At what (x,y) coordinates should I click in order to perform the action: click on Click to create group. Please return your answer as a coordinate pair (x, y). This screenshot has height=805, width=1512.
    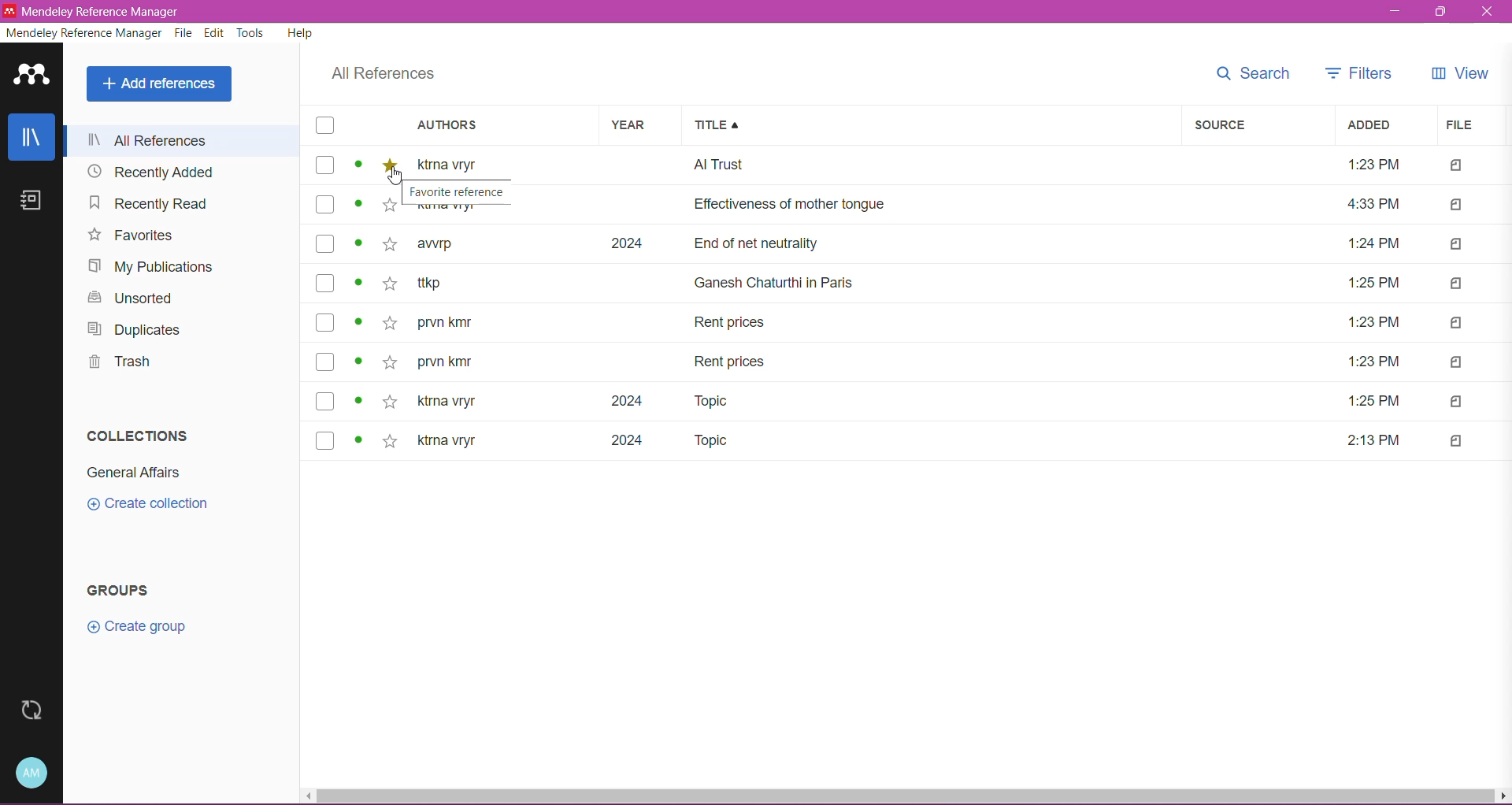
    Looking at the image, I should click on (143, 629).